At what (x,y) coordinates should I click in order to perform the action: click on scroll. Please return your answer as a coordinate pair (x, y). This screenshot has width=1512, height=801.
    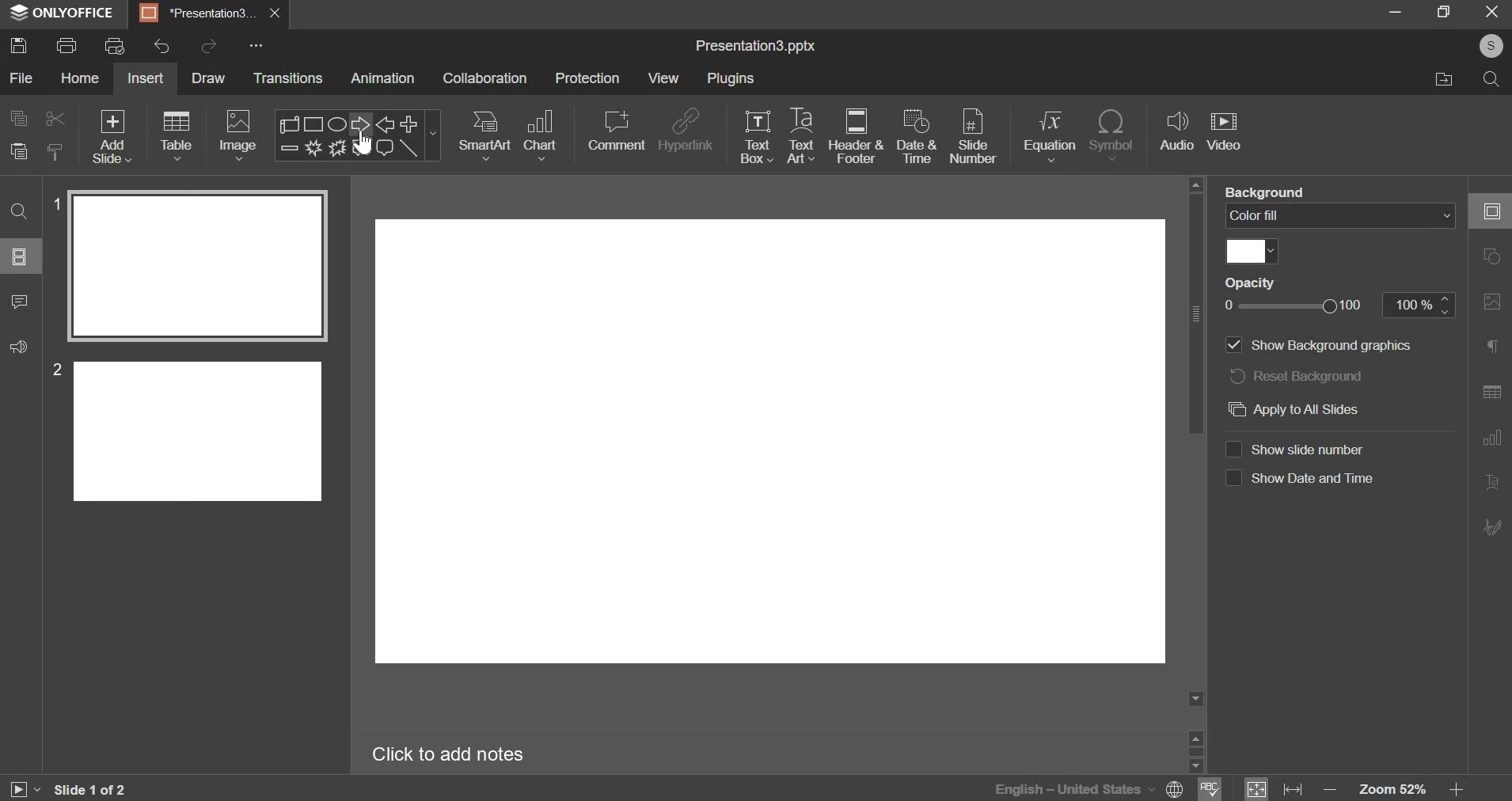
    Looking at the image, I should click on (291, 123).